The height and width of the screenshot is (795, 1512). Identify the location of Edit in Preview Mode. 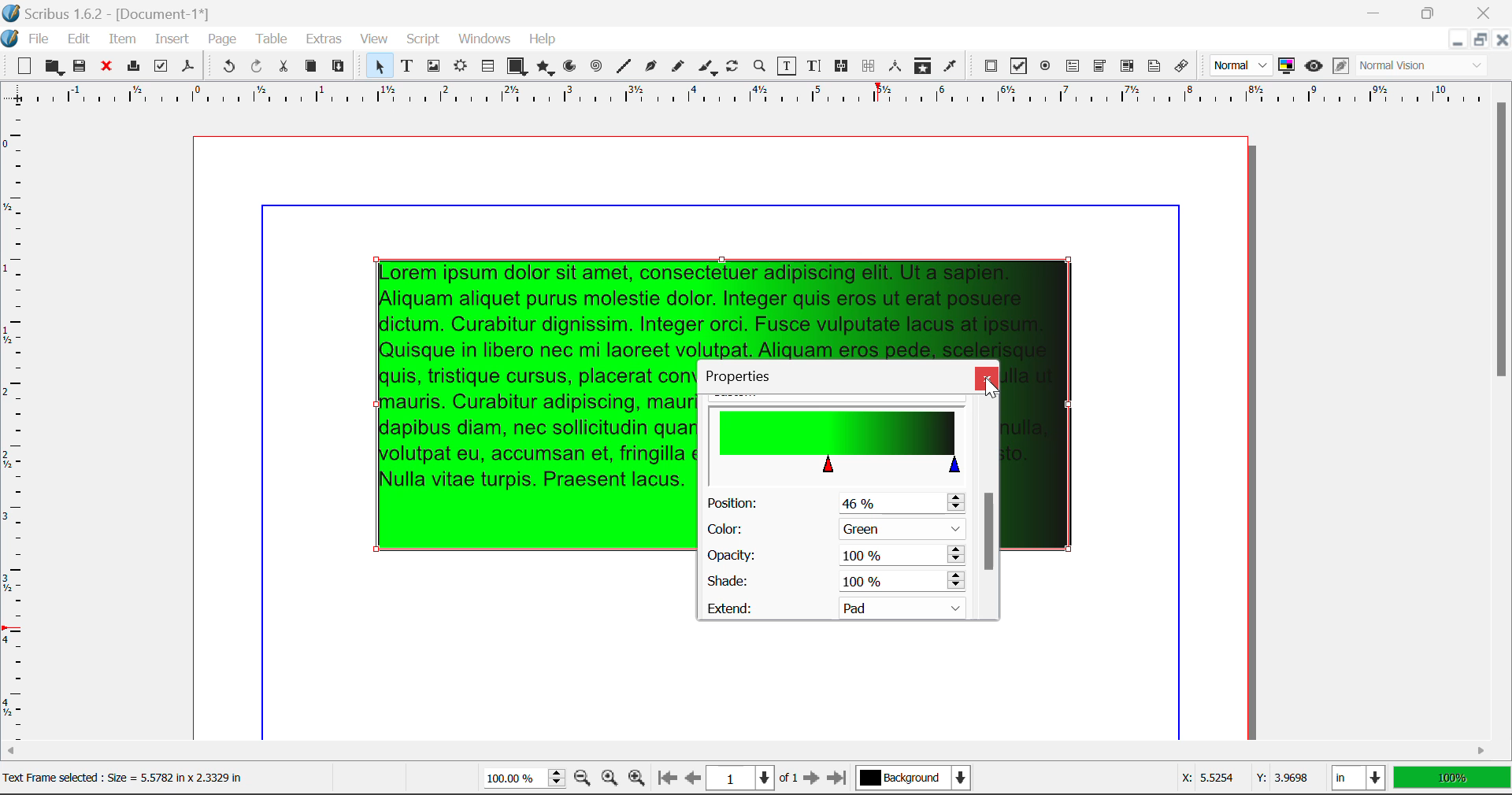
(1341, 66).